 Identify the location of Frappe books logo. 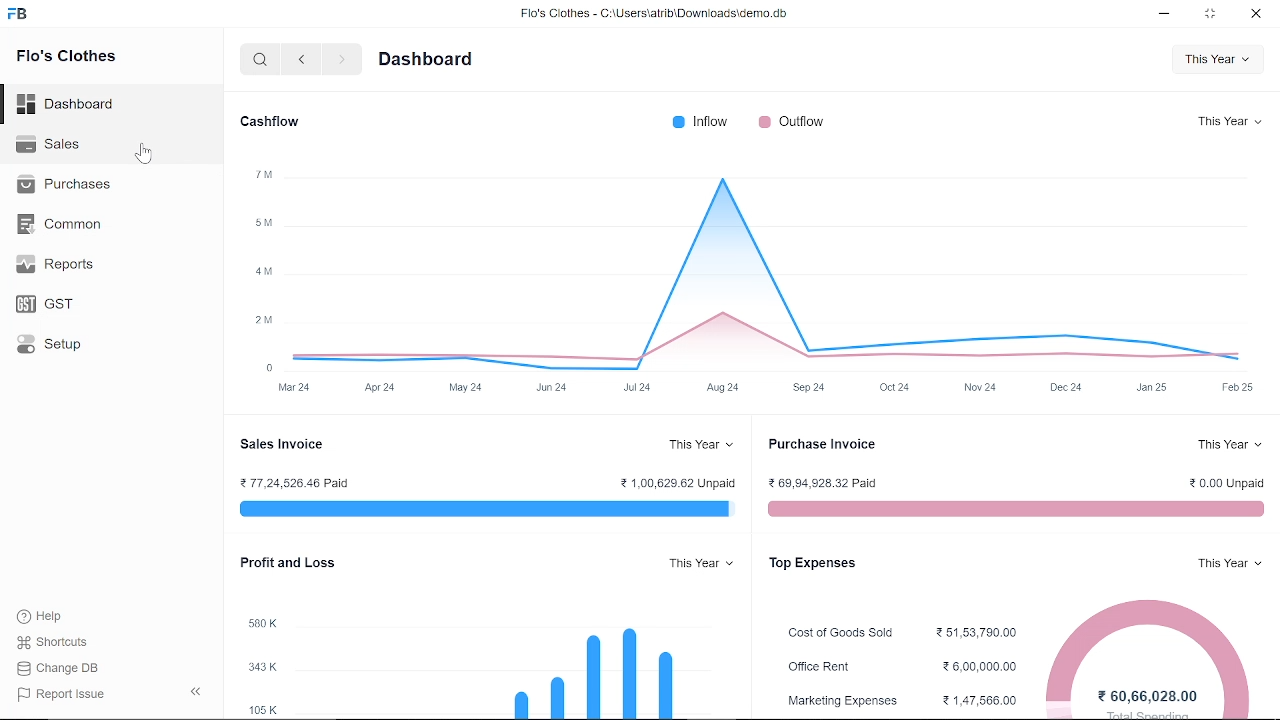
(19, 15).